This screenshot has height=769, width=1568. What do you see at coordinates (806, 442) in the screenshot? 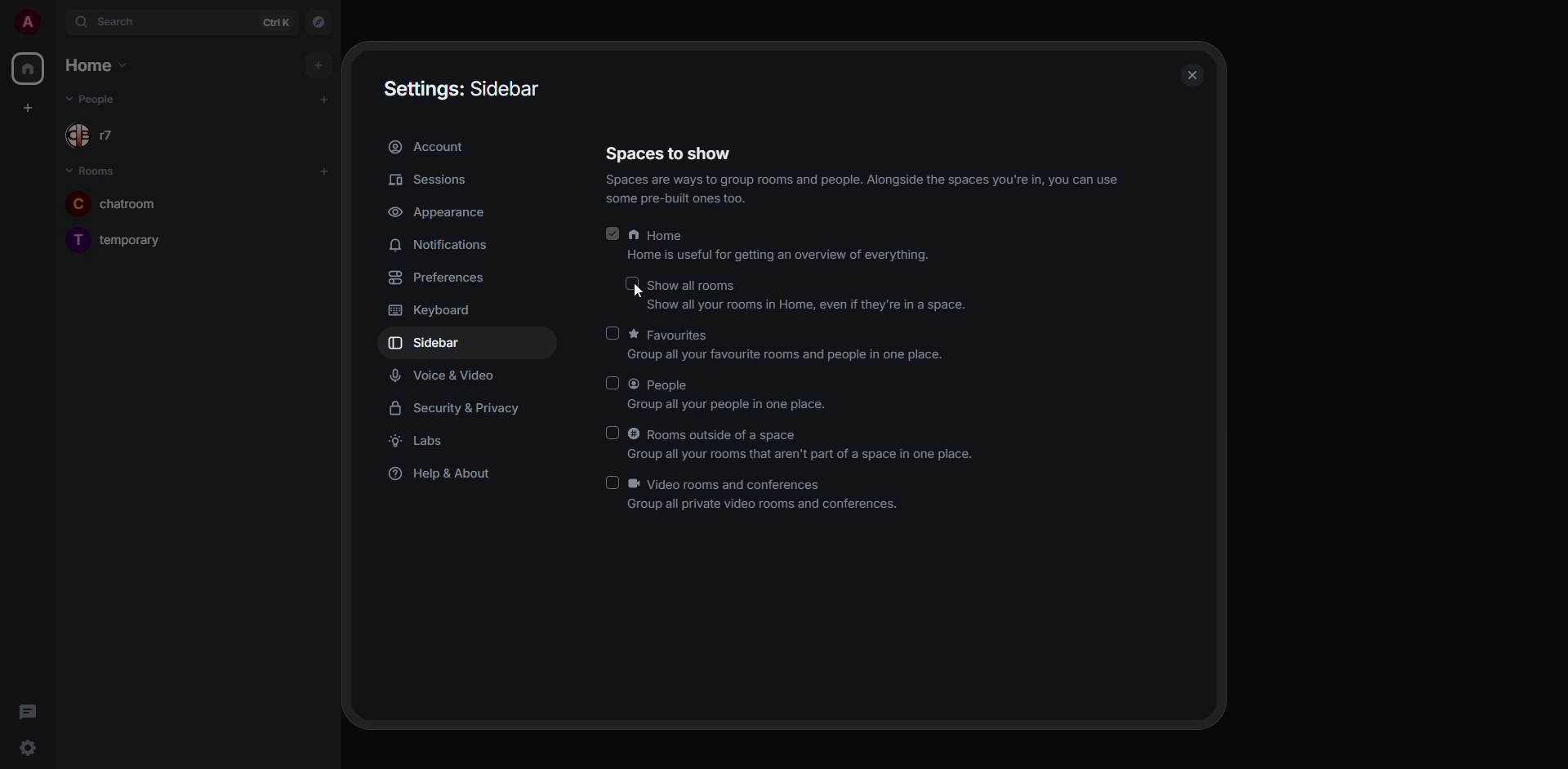
I see `© Rooms outside of a space
Group all your rooms that aren't part of a space in one place.` at bounding box center [806, 442].